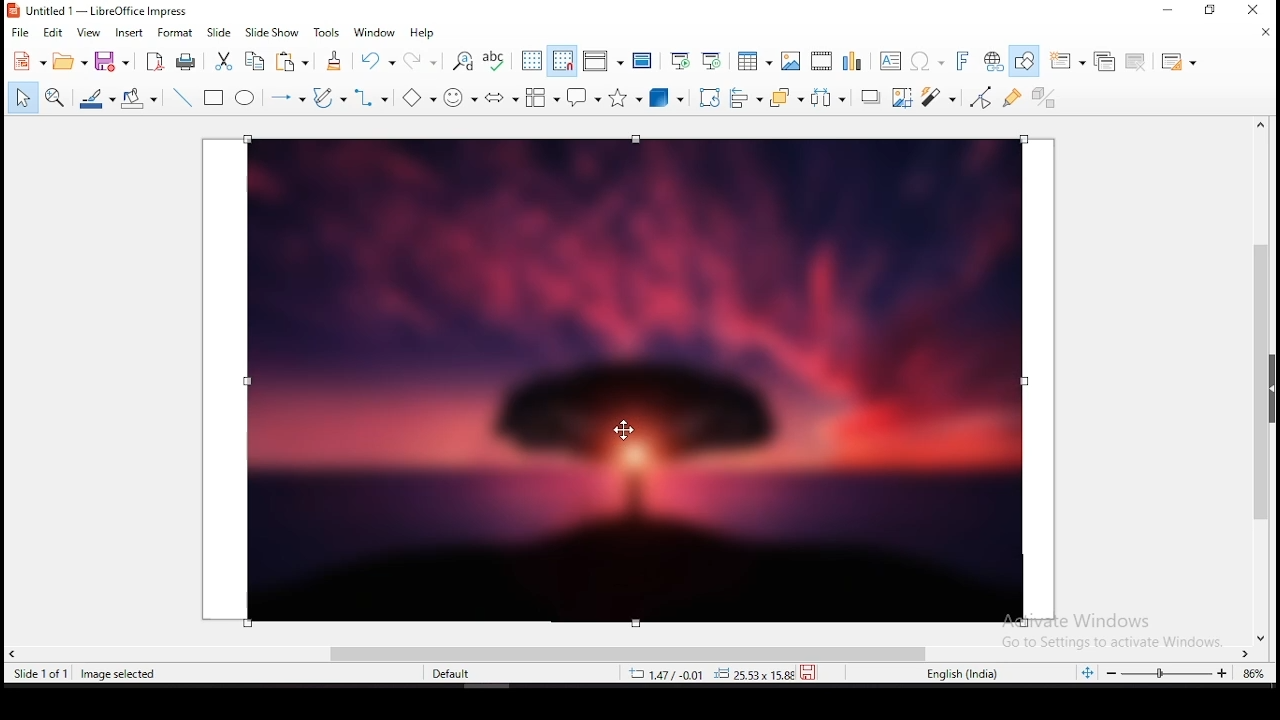 This screenshot has height=720, width=1280. What do you see at coordinates (1253, 11) in the screenshot?
I see `close window` at bounding box center [1253, 11].